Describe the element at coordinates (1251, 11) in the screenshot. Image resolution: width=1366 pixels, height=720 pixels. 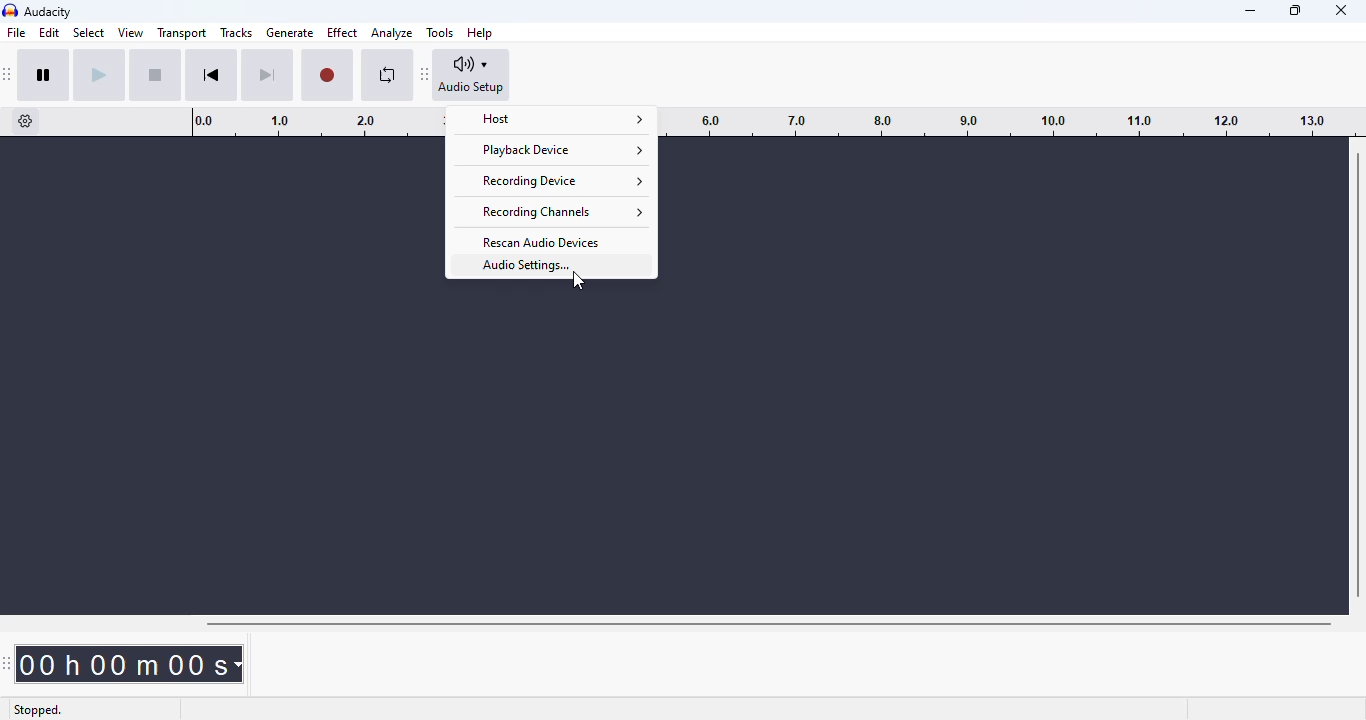
I see `minimize` at that location.